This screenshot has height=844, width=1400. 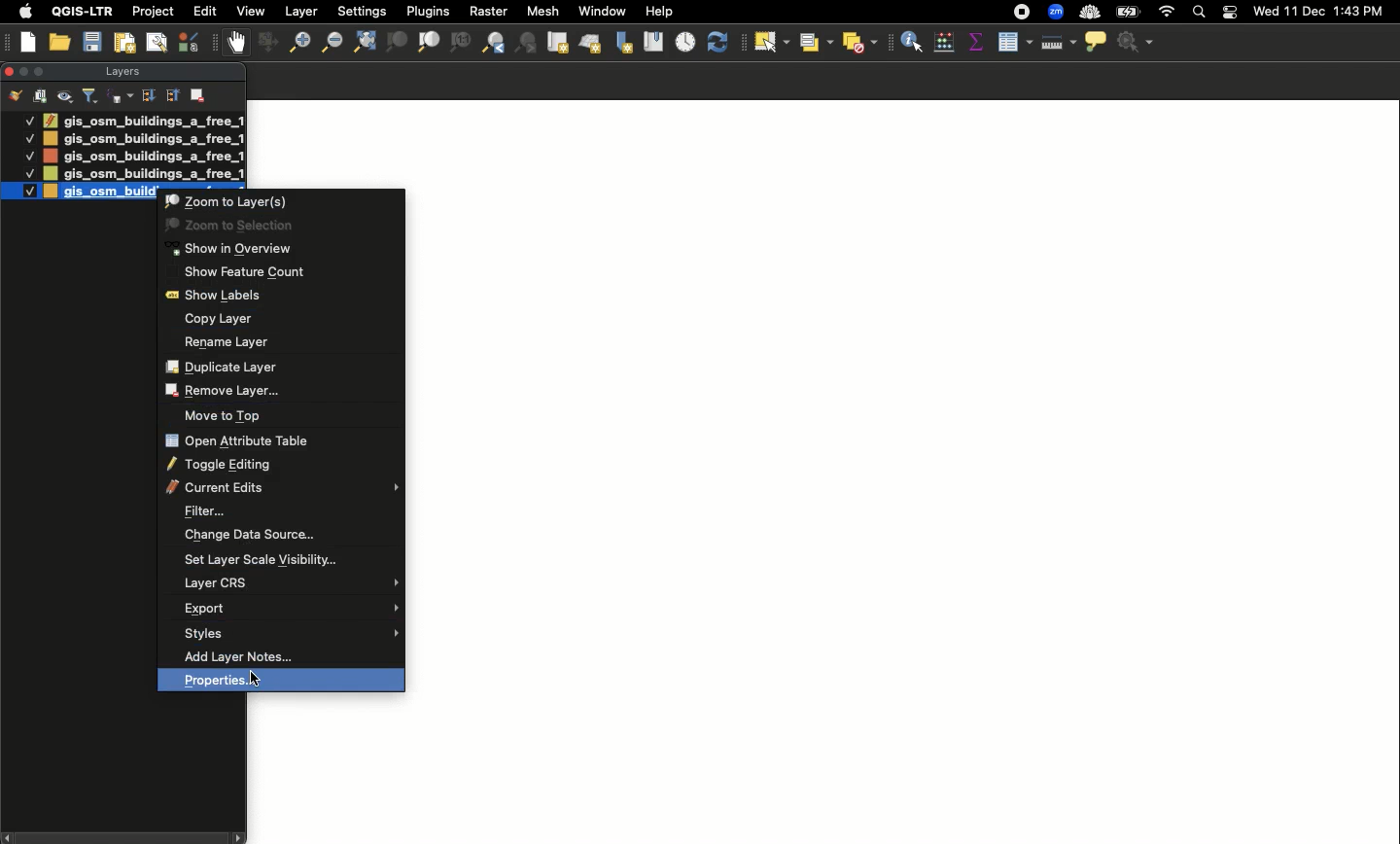 I want to click on Select features by value , so click(x=814, y=42).